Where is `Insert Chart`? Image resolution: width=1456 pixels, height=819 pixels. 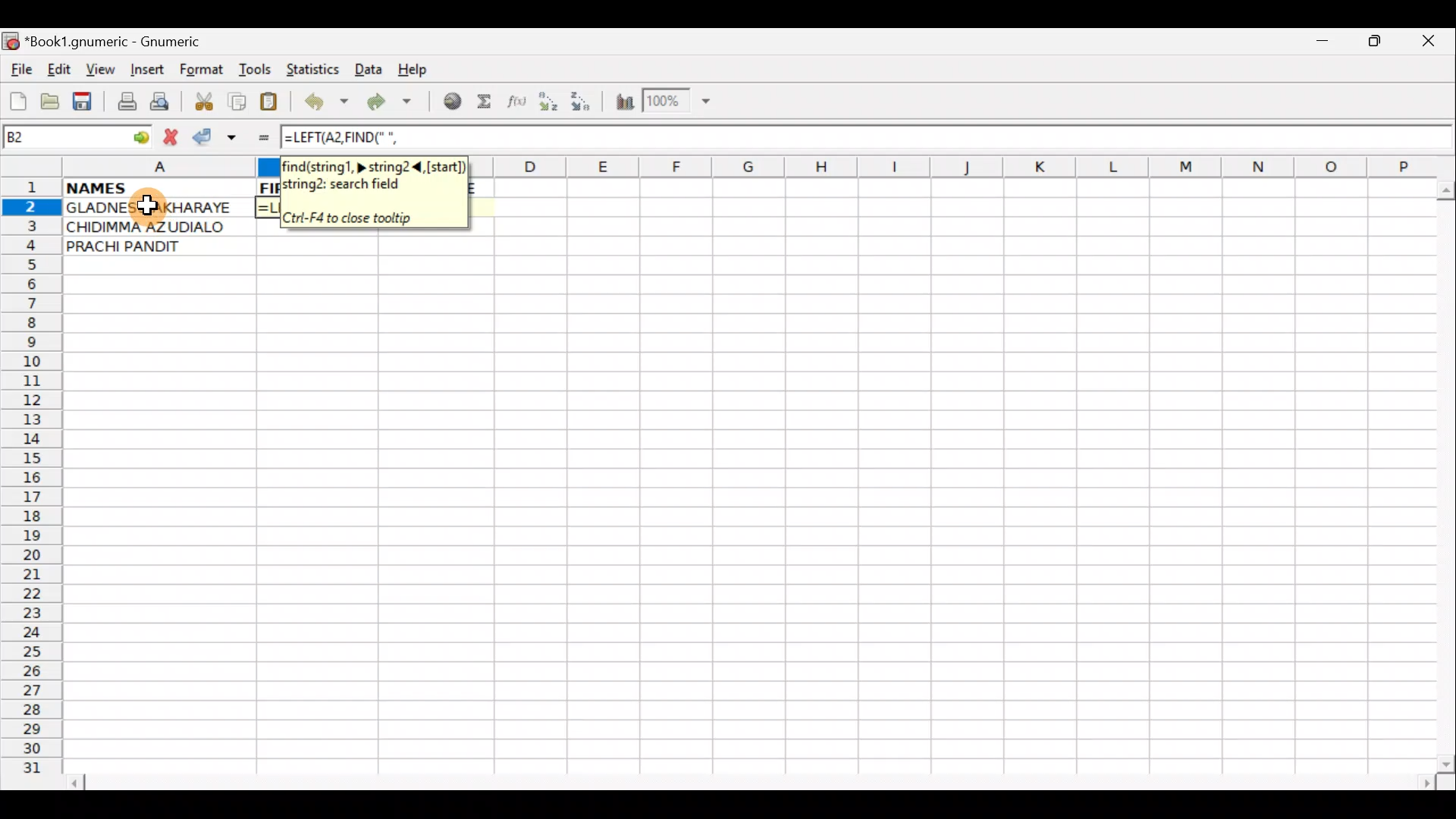 Insert Chart is located at coordinates (620, 104).